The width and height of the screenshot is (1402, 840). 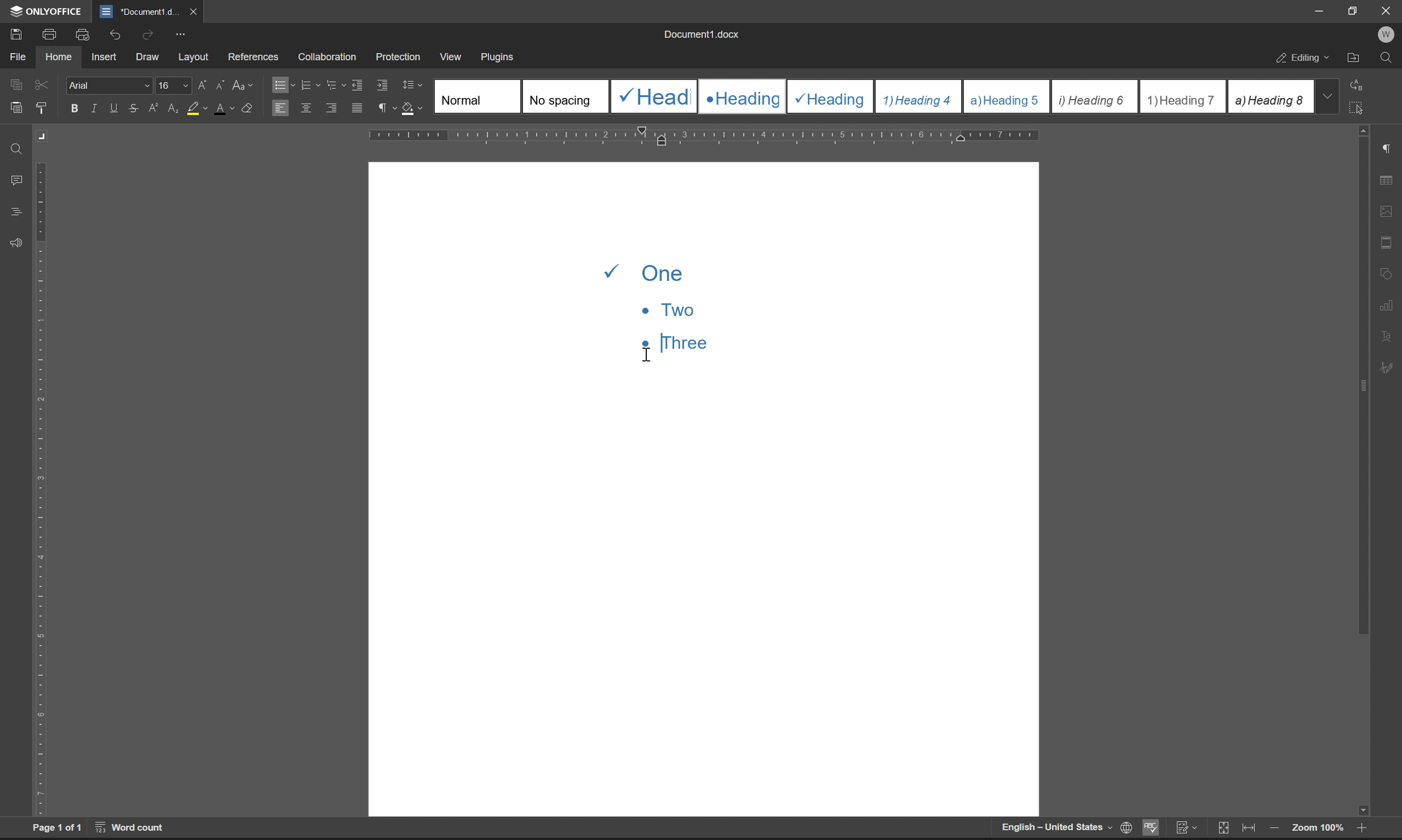 What do you see at coordinates (1249, 828) in the screenshot?
I see `fit to width` at bounding box center [1249, 828].